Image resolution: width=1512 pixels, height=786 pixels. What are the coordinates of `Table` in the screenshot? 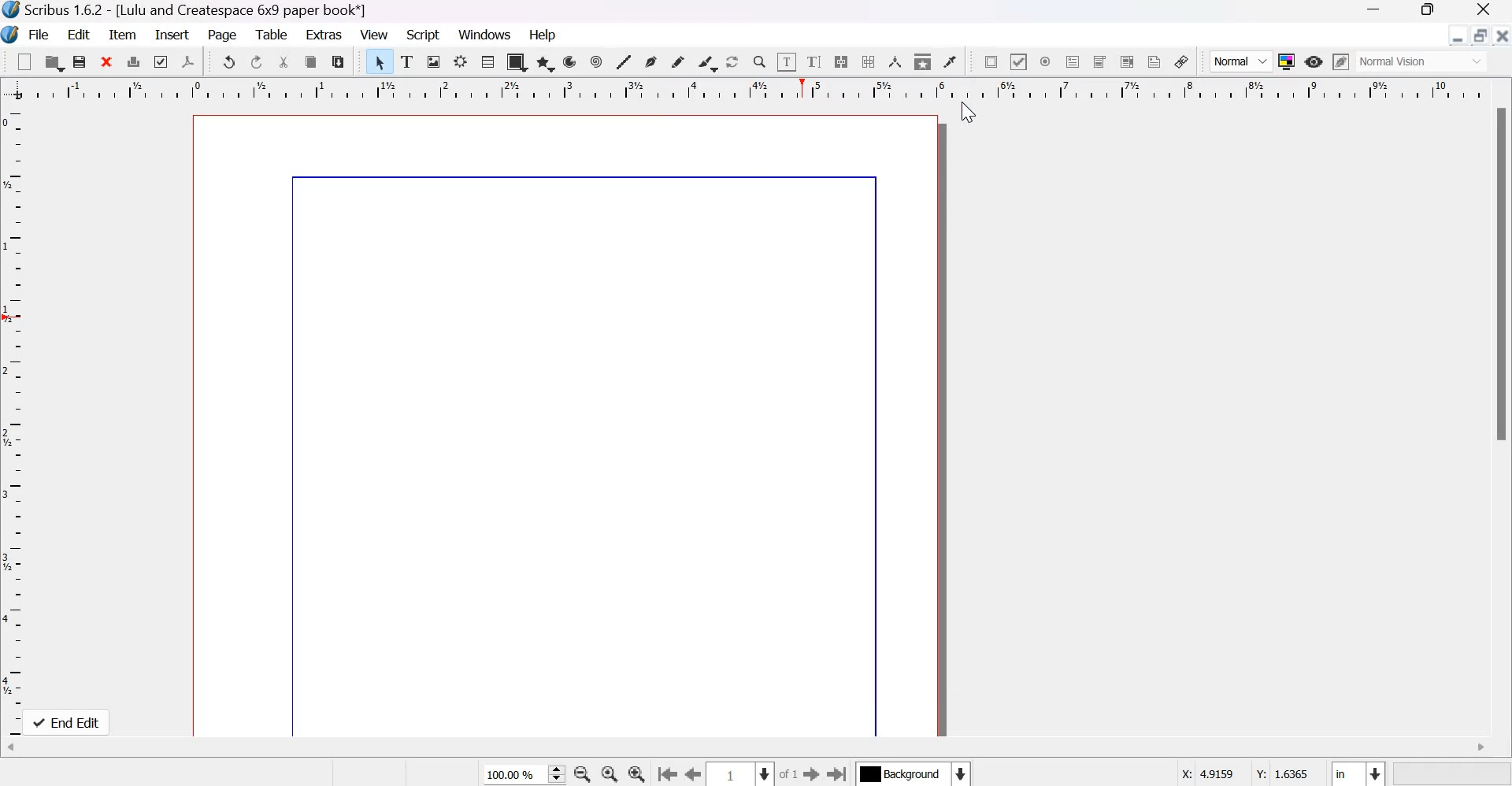 It's located at (271, 35).